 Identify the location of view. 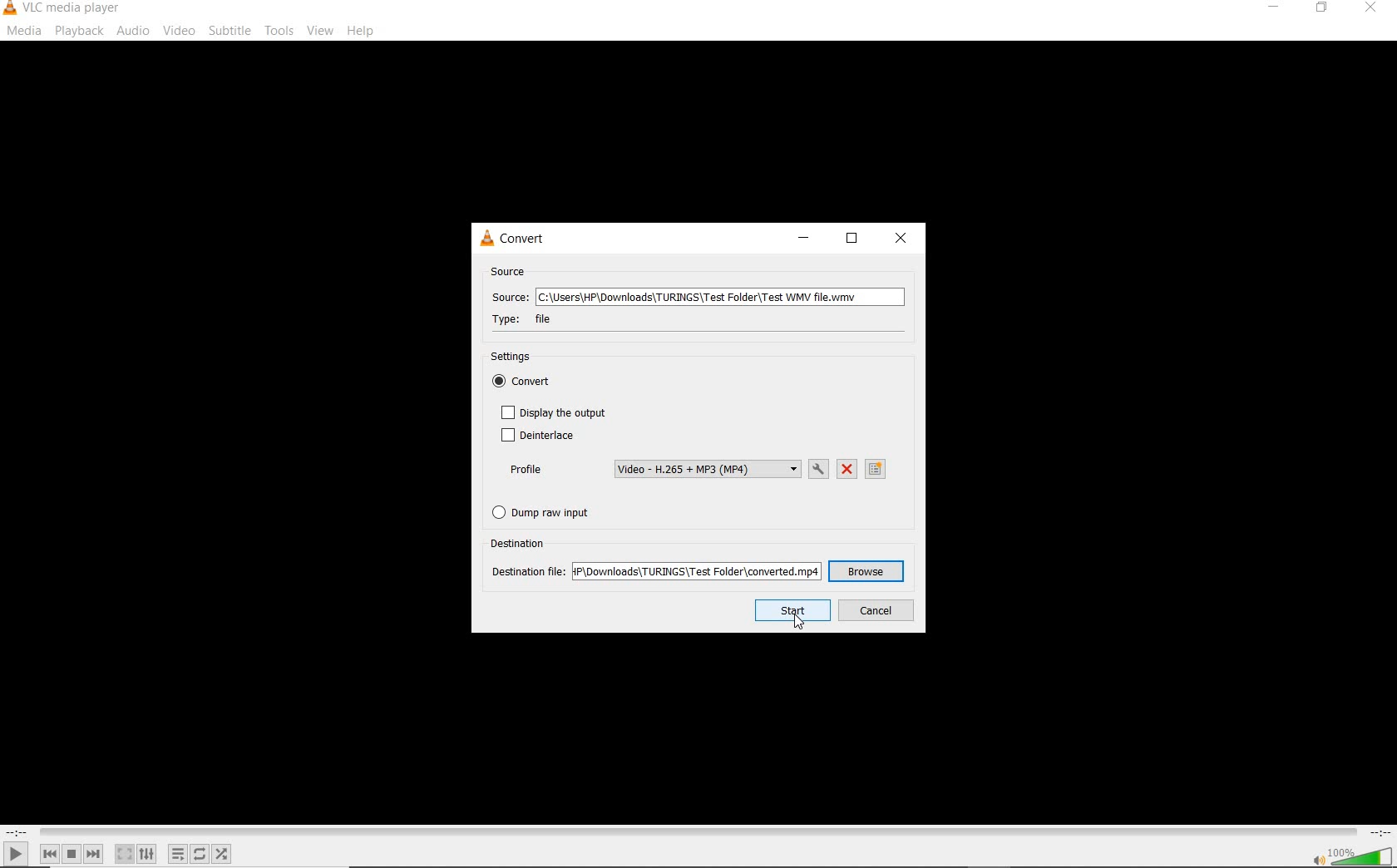
(321, 31).